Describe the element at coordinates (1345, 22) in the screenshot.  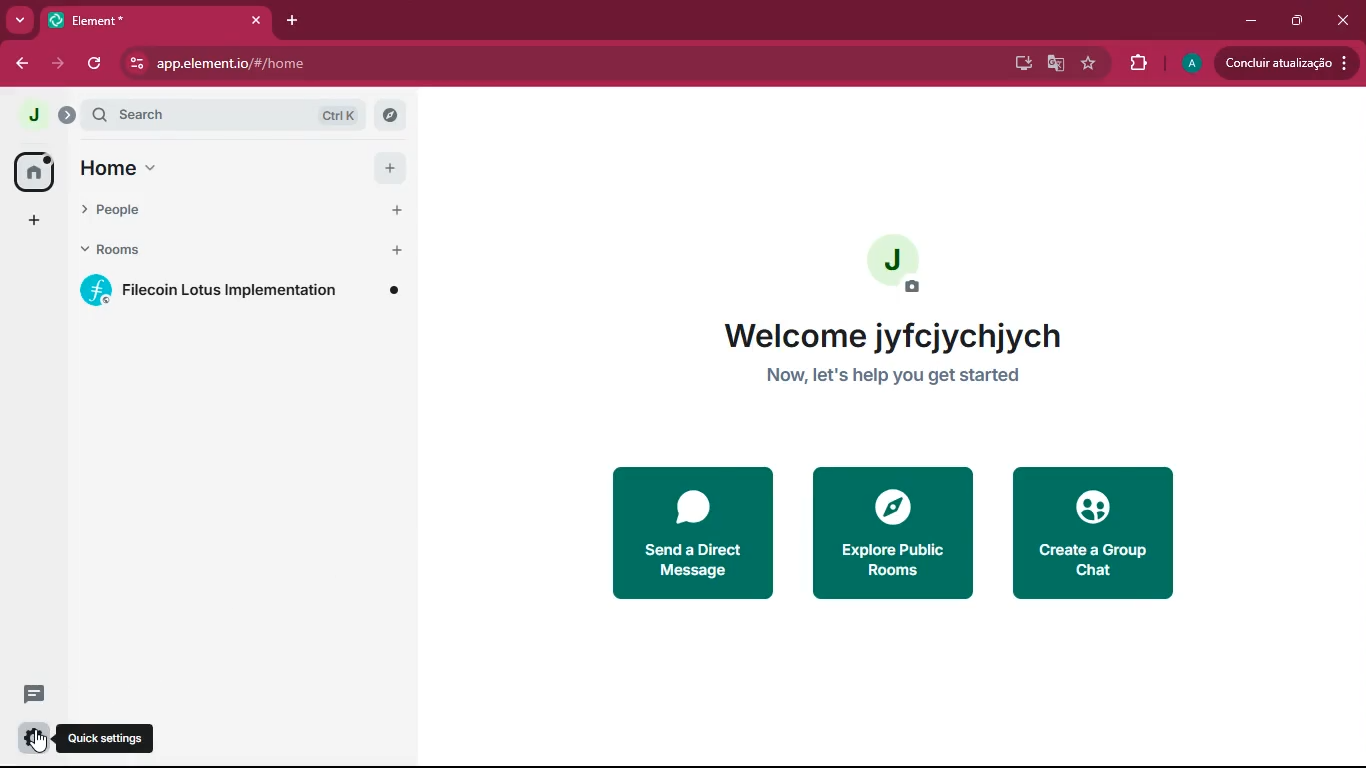
I see `close` at that location.